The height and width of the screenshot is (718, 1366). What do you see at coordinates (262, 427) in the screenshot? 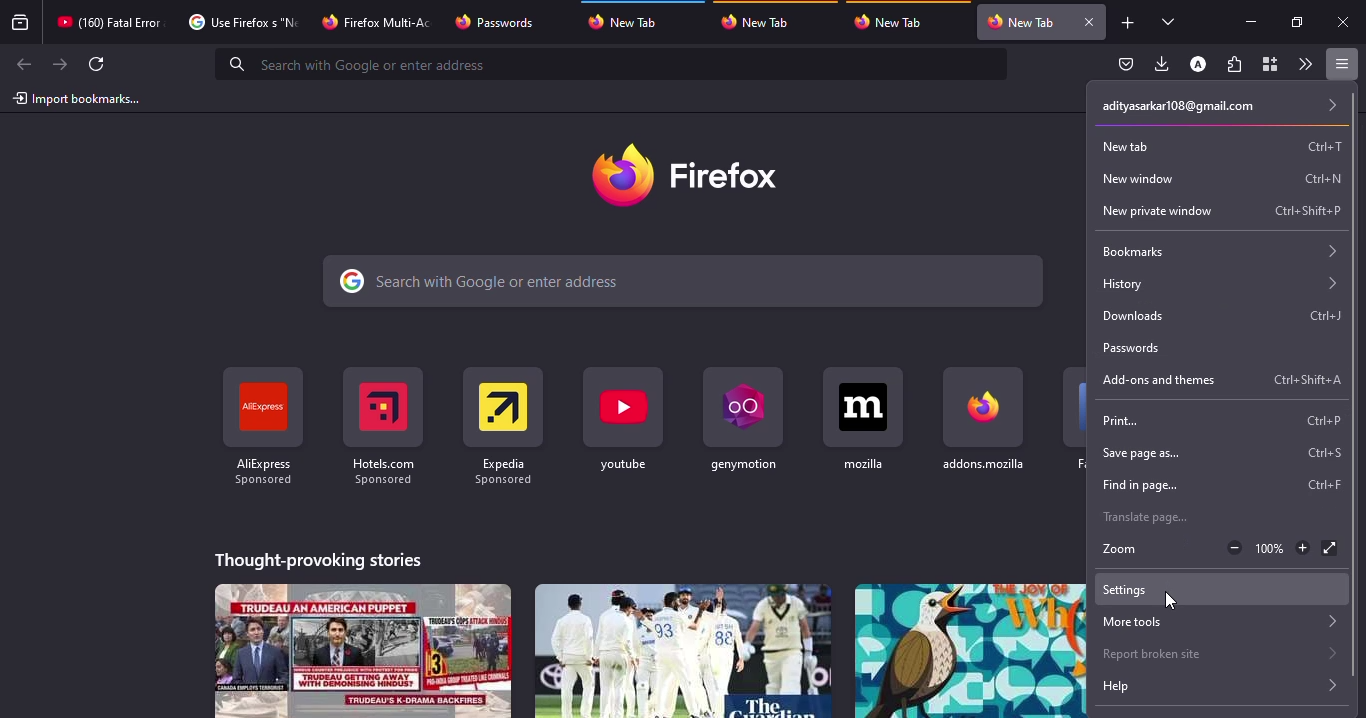
I see `shortcut` at bounding box center [262, 427].